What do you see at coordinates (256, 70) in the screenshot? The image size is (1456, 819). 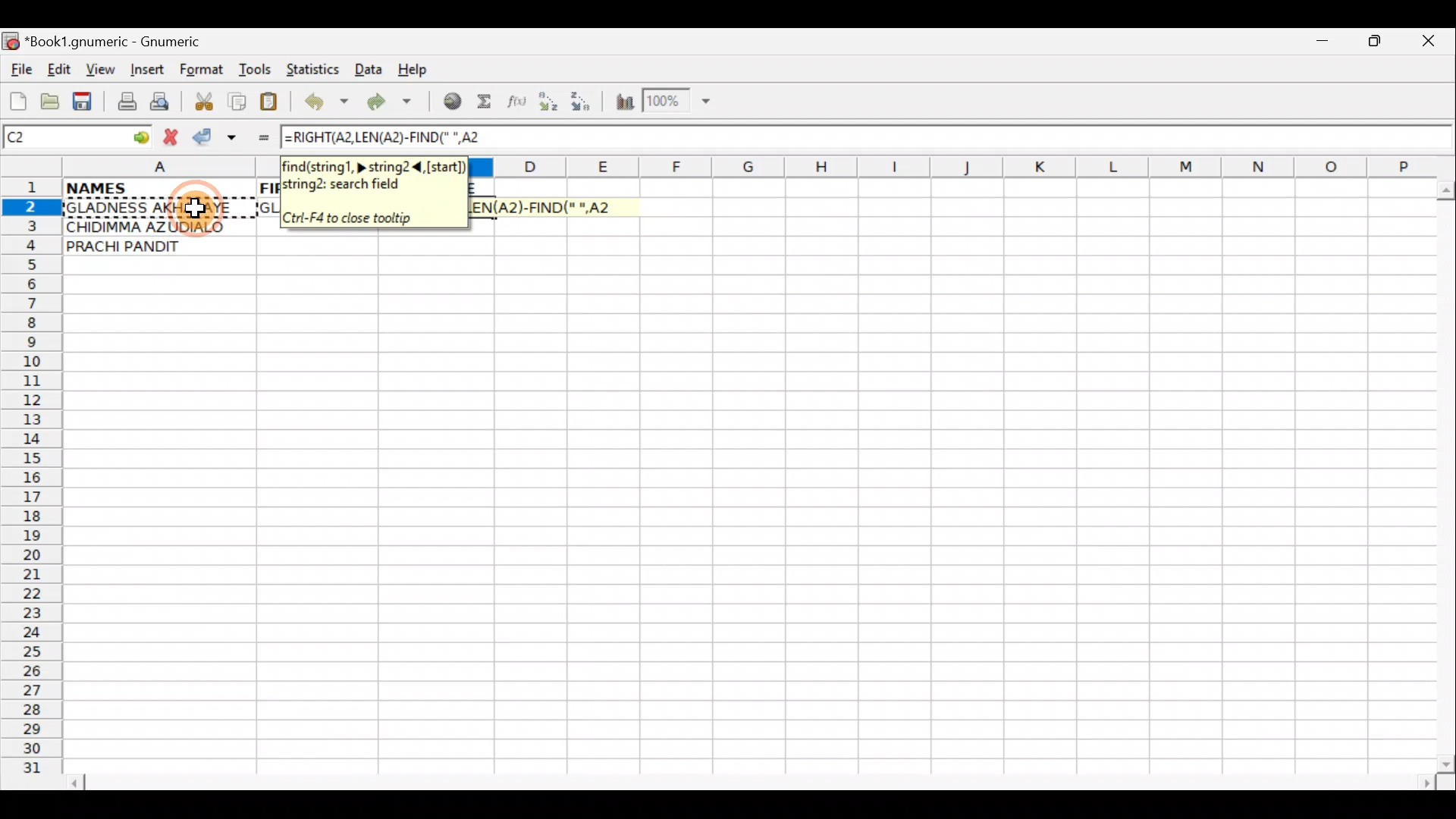 I see `Tools` at bounding box center [256, 70].